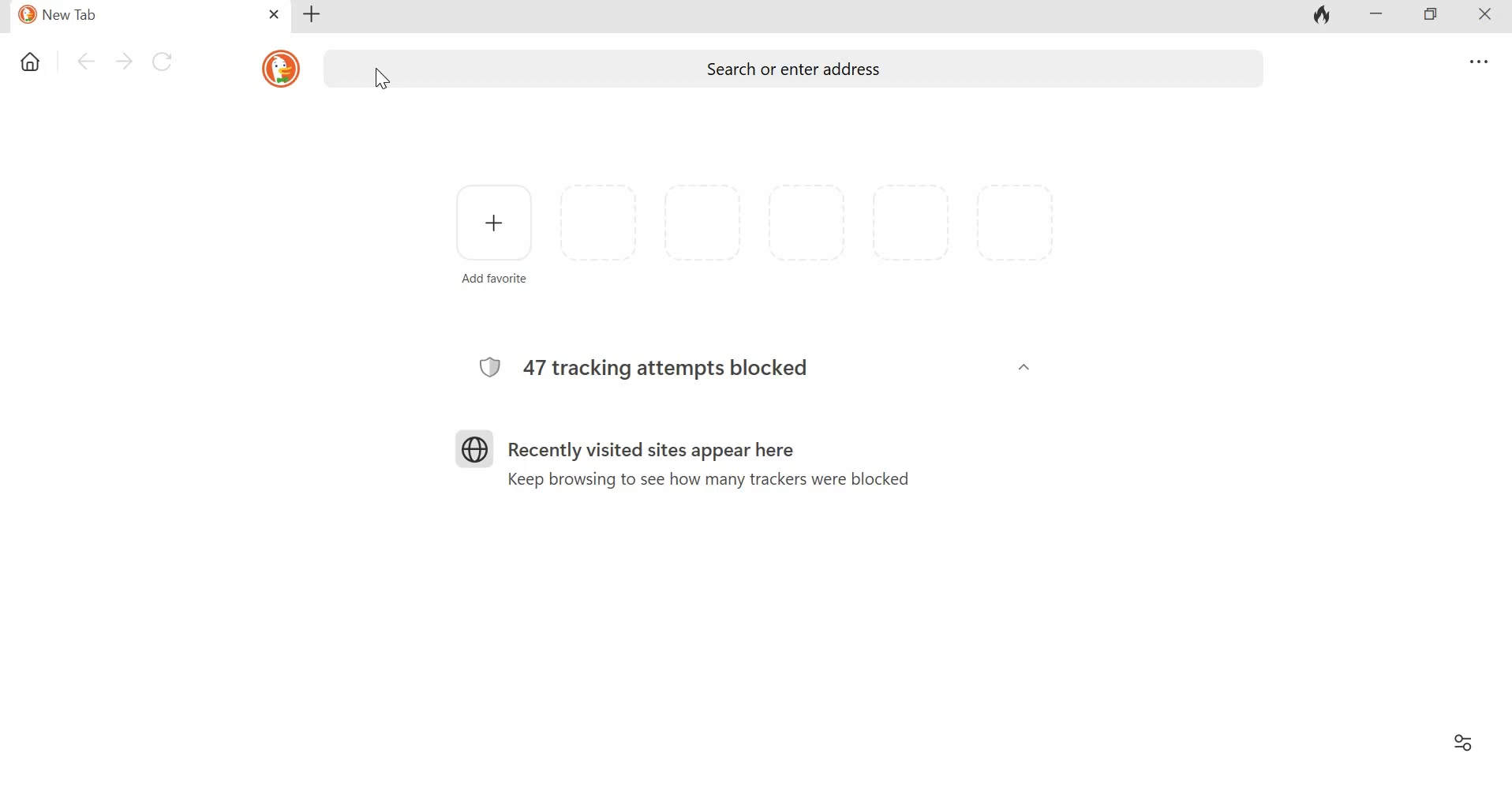 This screenshot has height=791, width=1512. What do you see at coordinates (1461, 743) in the screenshot?
I see `settings` at bounding box center [1461, 743].